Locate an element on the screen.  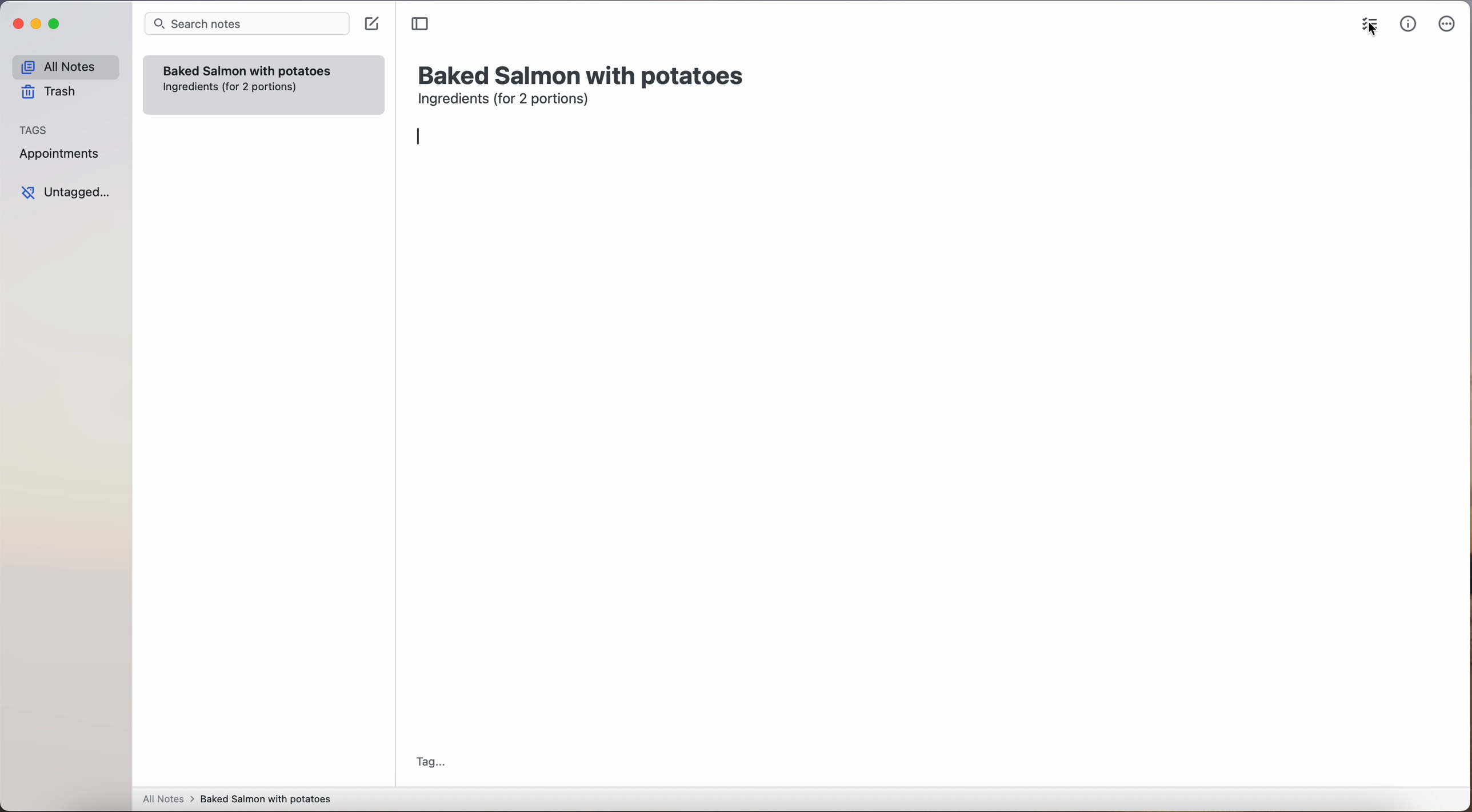
tags is located at coordinates (34, 129).